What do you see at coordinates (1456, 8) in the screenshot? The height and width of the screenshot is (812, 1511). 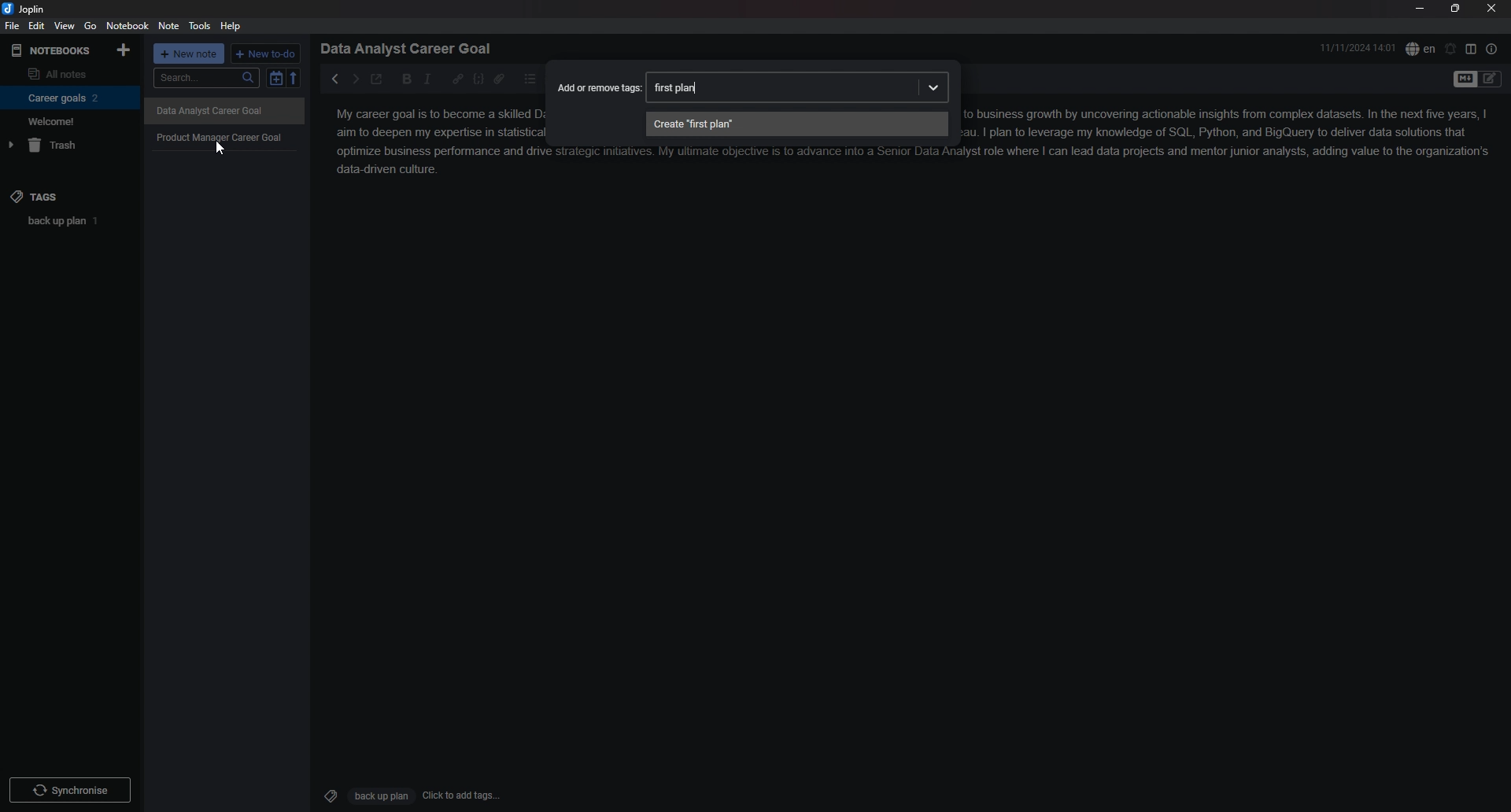 I see `resize` at bounding box center [1456, 8].